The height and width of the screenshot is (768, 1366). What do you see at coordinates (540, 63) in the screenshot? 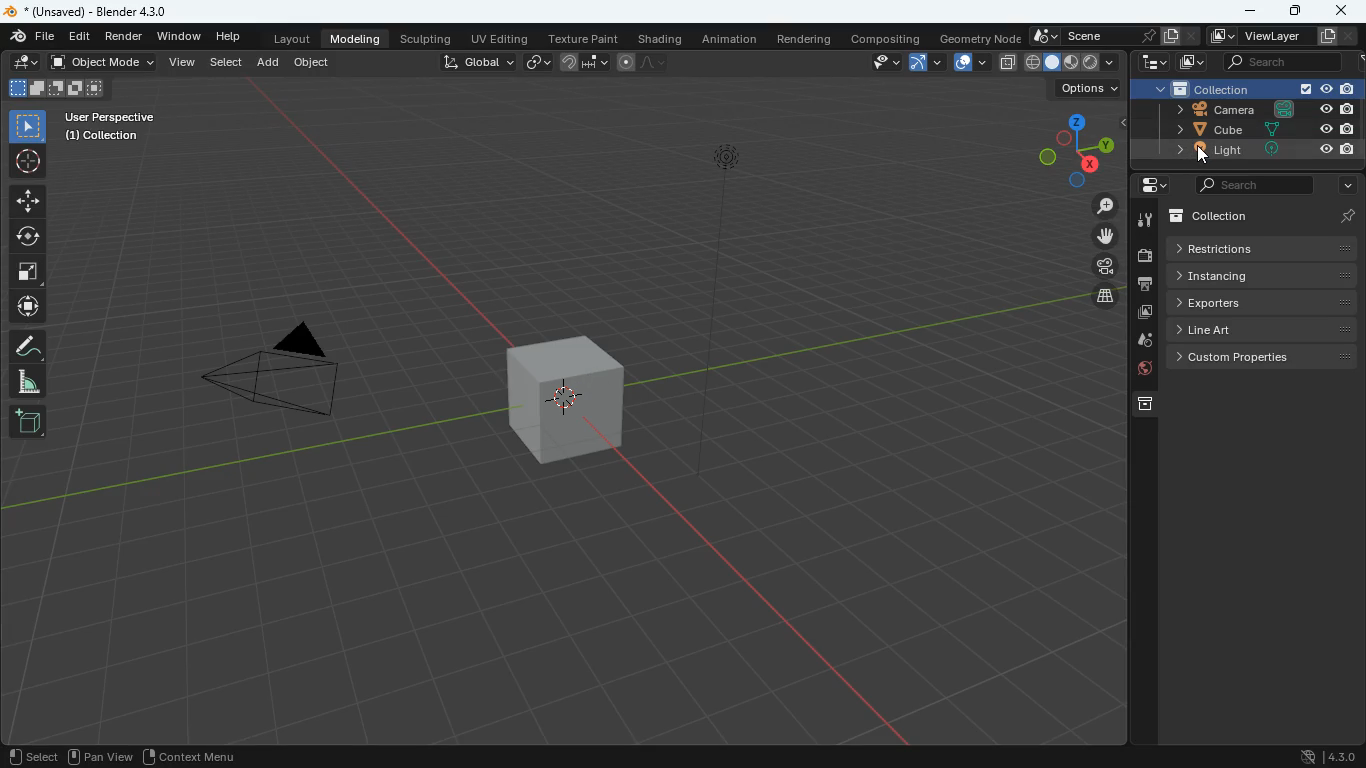
I see `link` at bounding box center [540, 63].